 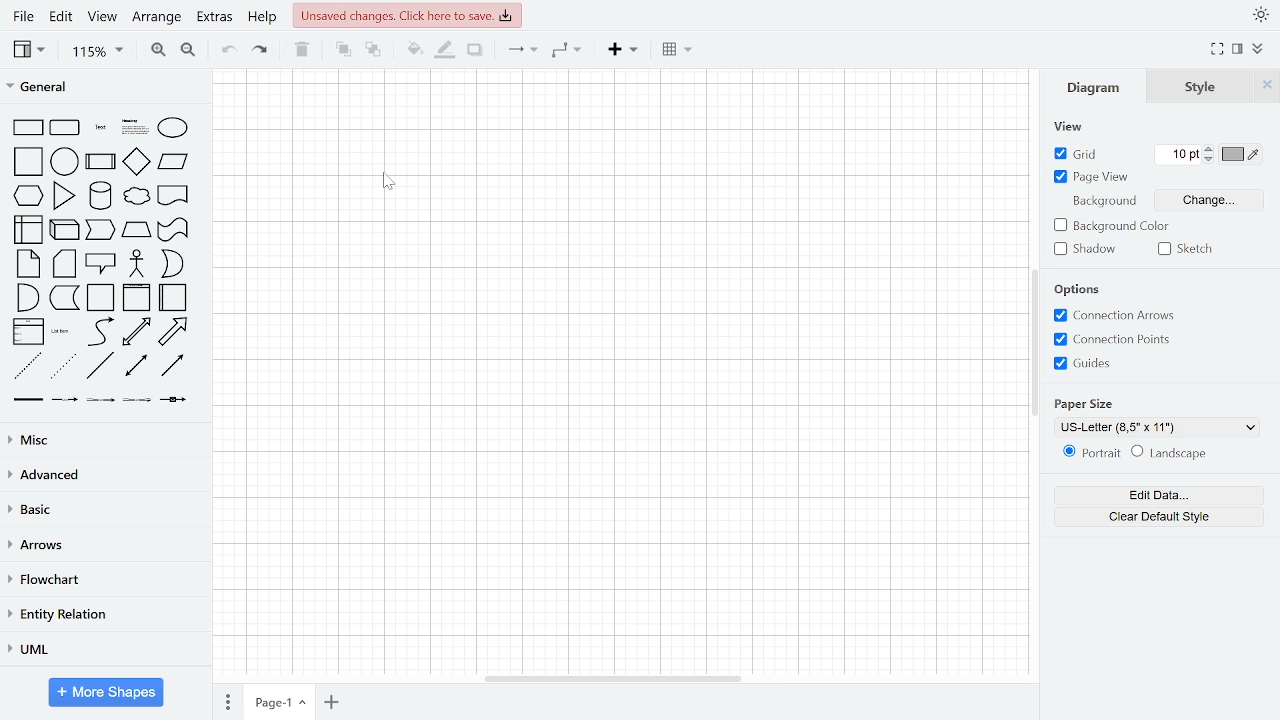 I want to click on page view, so click(x=1092, y=176).